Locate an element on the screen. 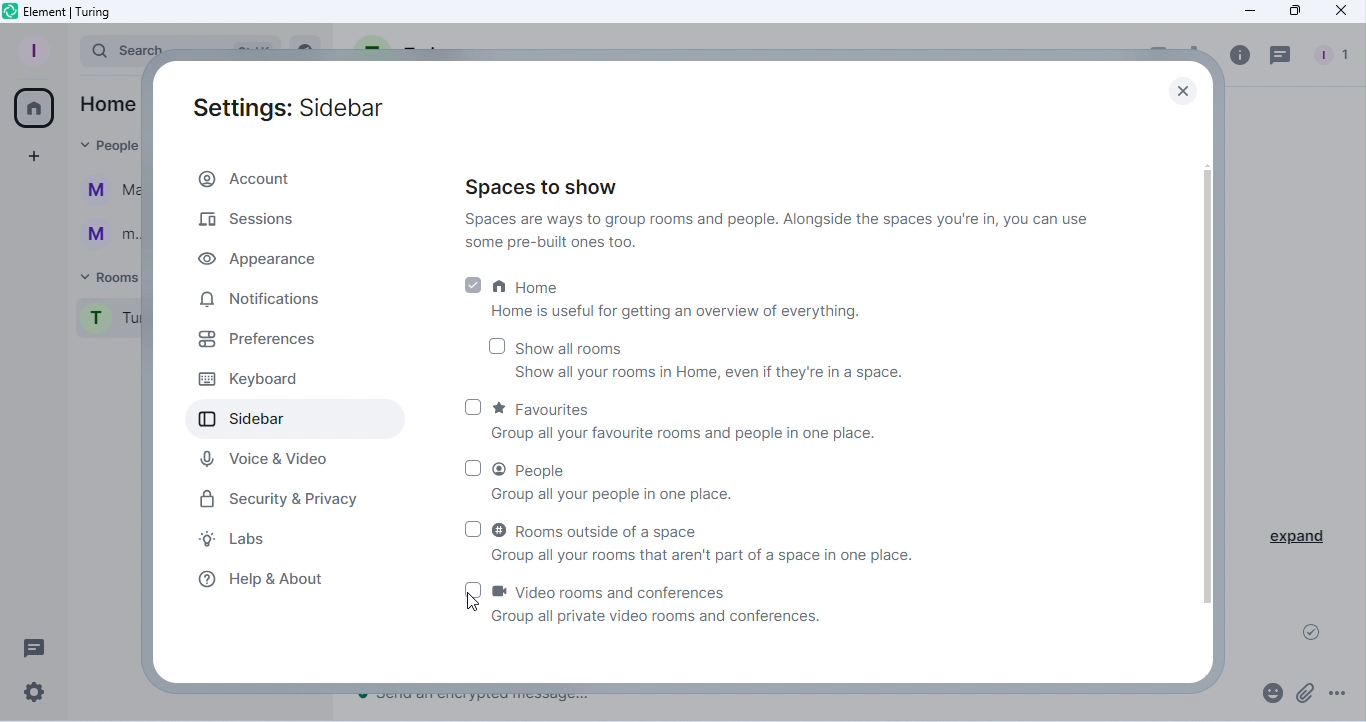  Account is located at coordinates (251, 179).